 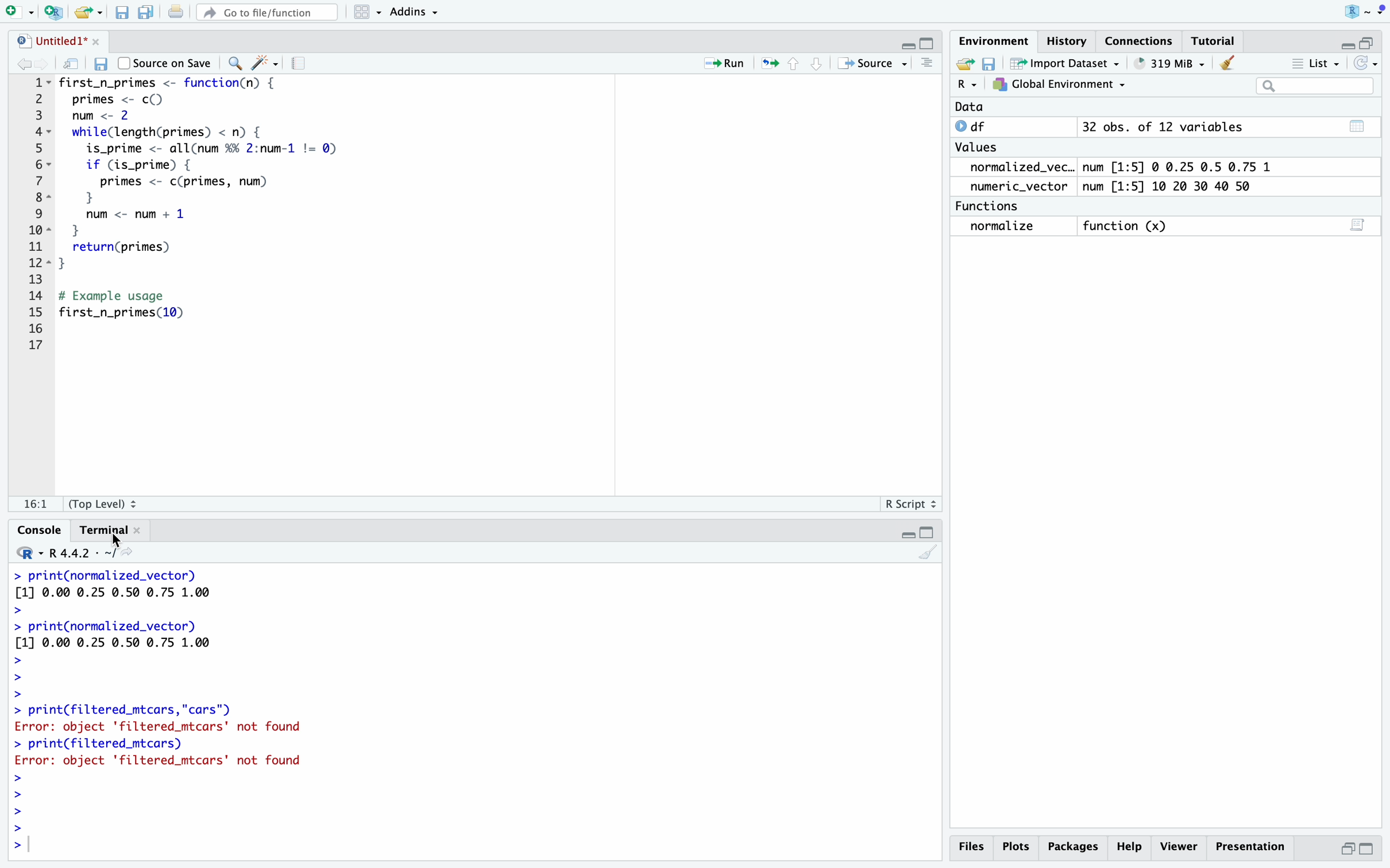 What do you see at coordinates (967, 84) in the screenshot?
I see `R ` at bounding box center [967, 84].